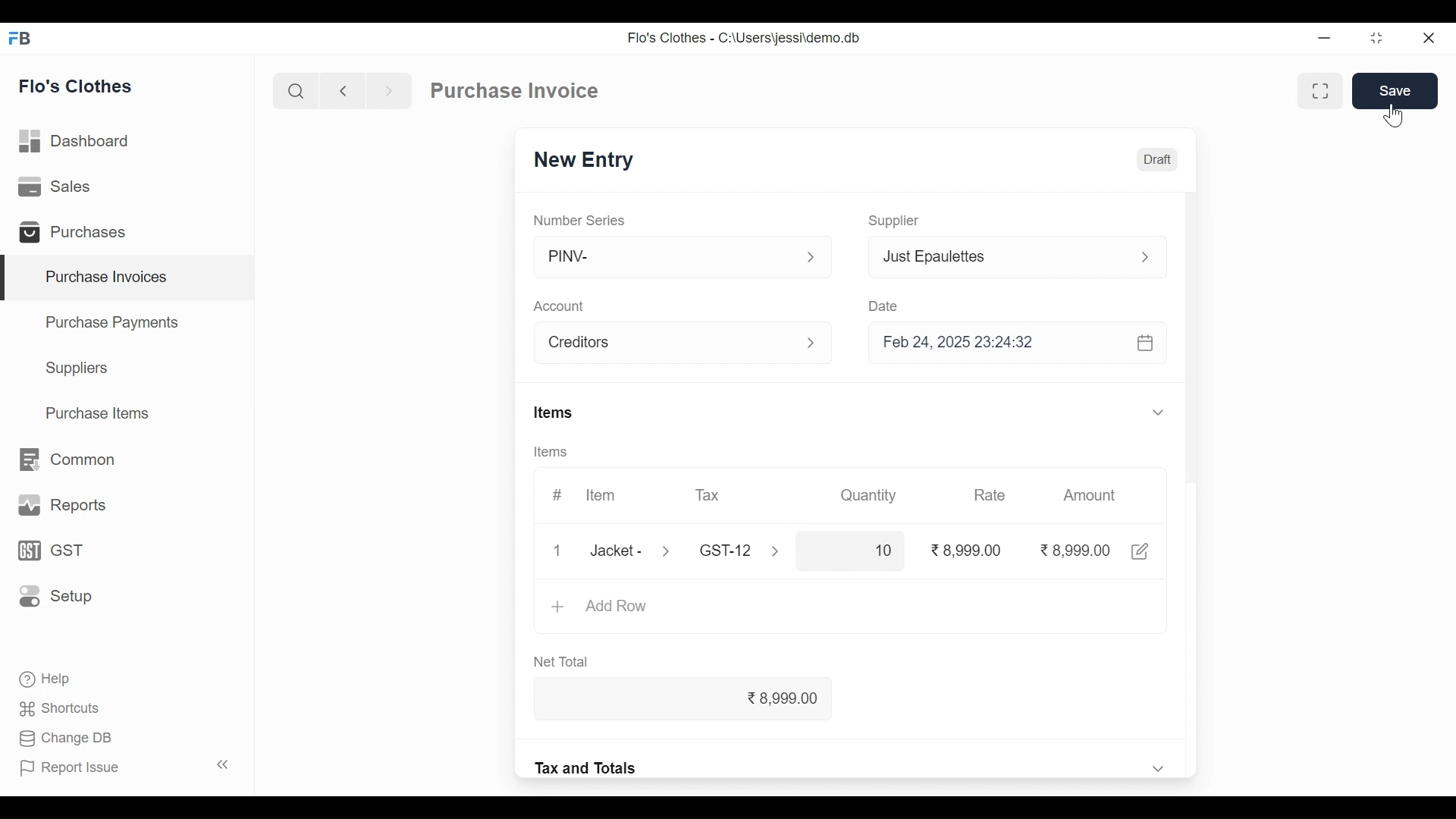 This screenshot has width=1456, height=819. Describe the element at coordinates (52, 597) in the screenshot. I see `Setup` at that location.